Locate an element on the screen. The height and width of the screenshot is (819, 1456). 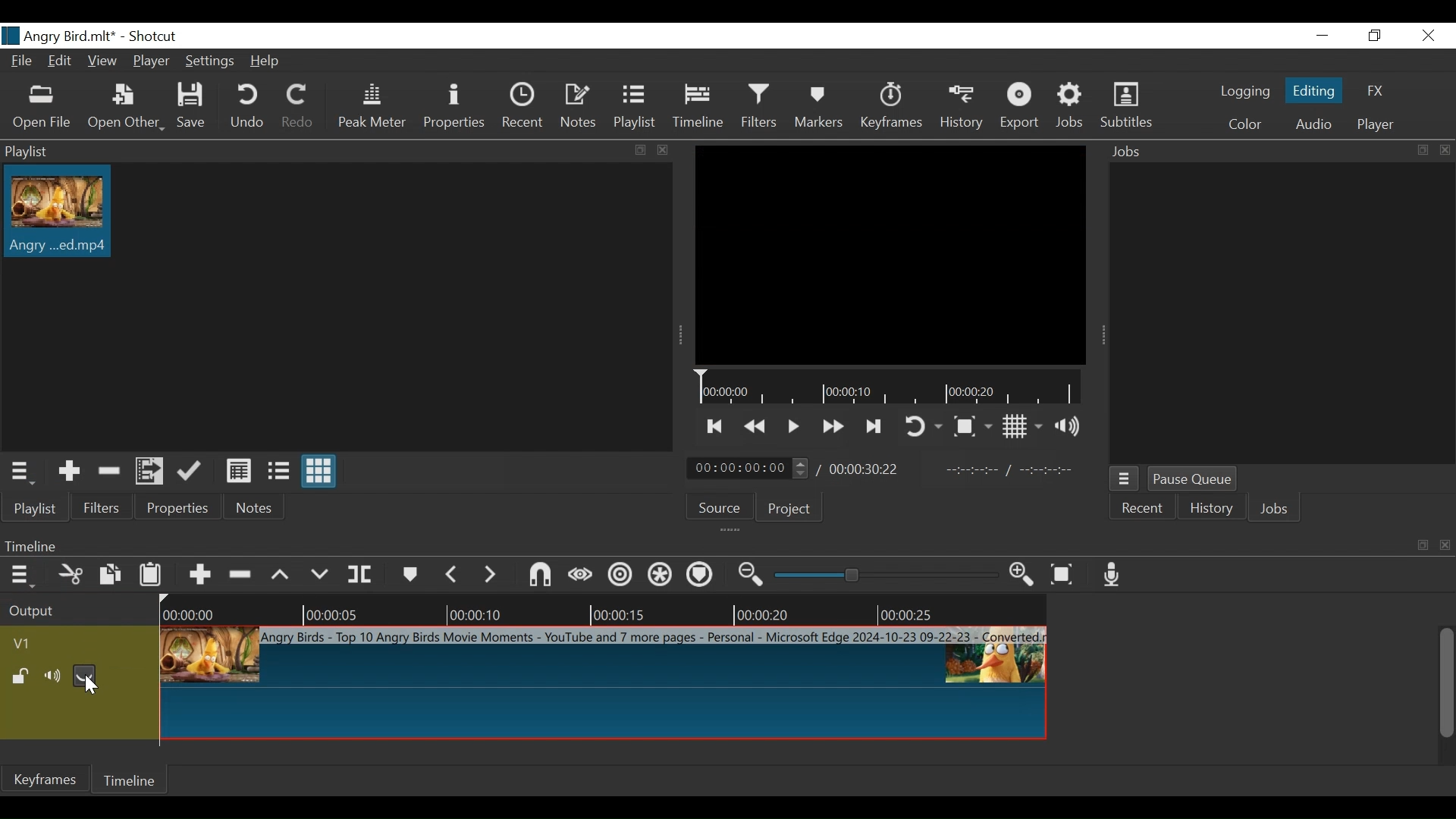
Skip to the next point is located at coordinates (712, 428).